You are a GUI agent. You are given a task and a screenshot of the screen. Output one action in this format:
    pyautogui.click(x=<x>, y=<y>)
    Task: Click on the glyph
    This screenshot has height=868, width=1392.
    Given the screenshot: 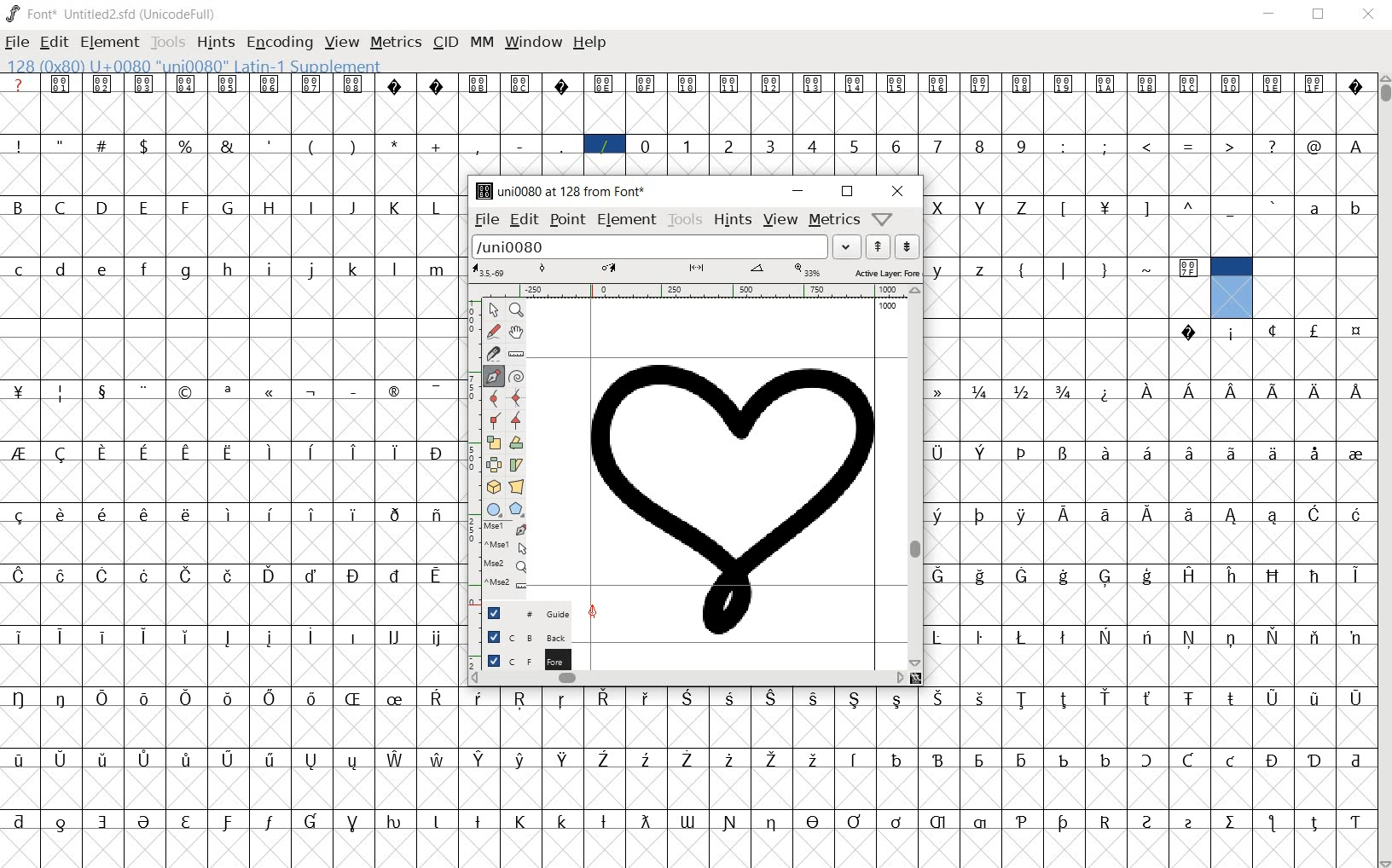 What is the action you would take?
    pyautogui.click(x=352, y=208)
    